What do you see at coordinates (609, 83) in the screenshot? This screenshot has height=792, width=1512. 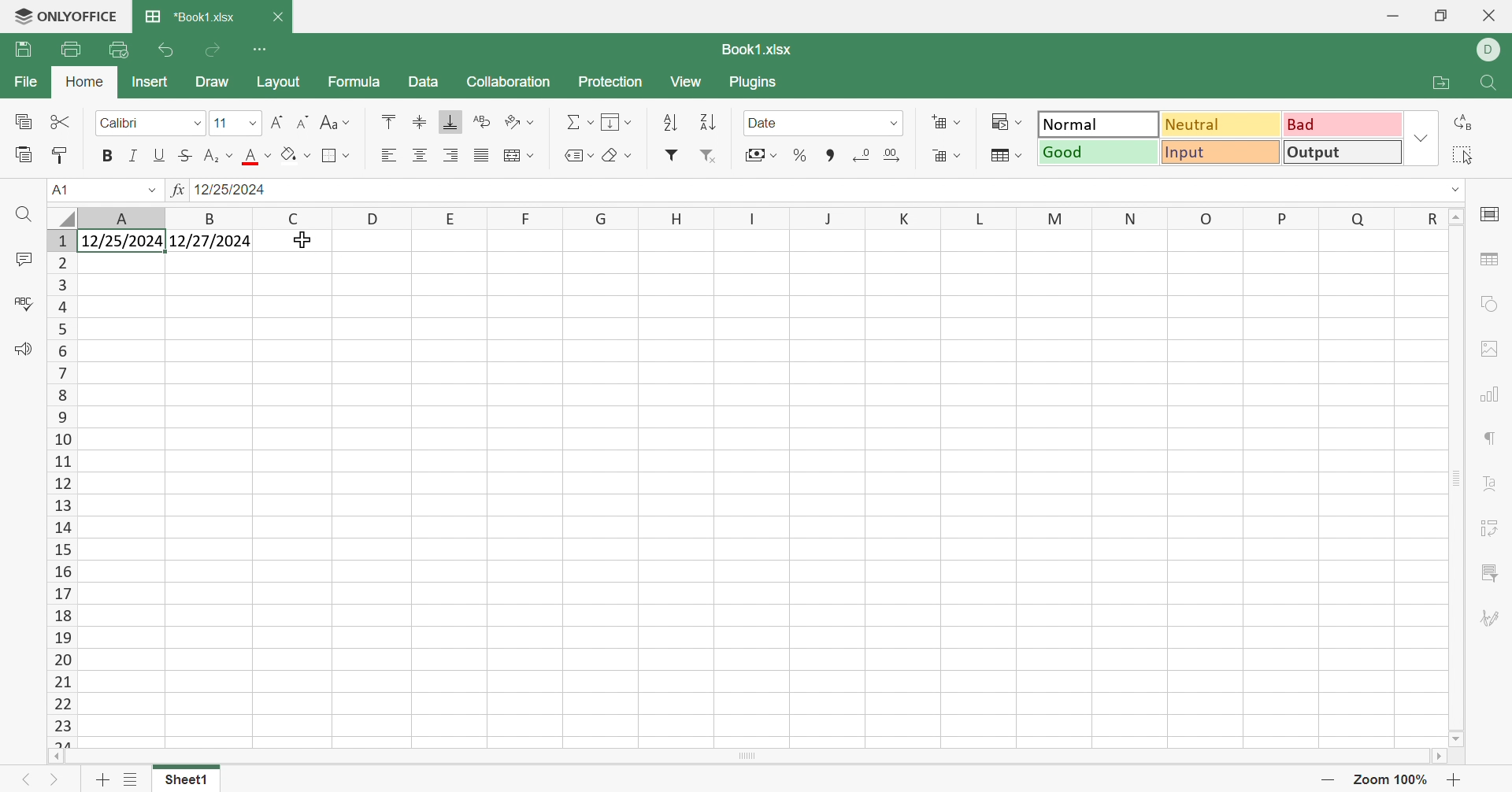 I see `Protection` at bounding box center [609, 83].